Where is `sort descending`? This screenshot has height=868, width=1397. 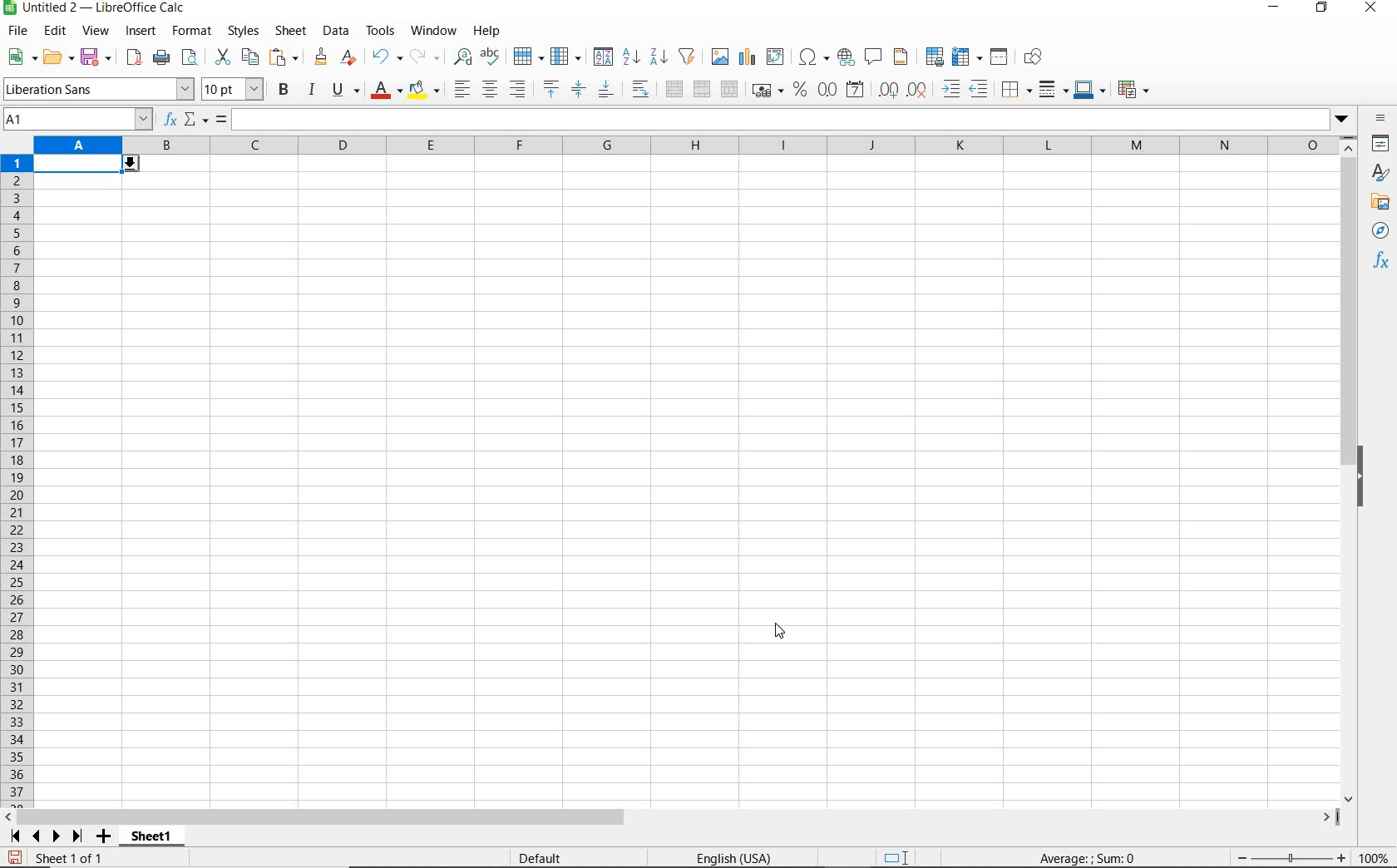
sort descending is located at coordinates (659, 56).